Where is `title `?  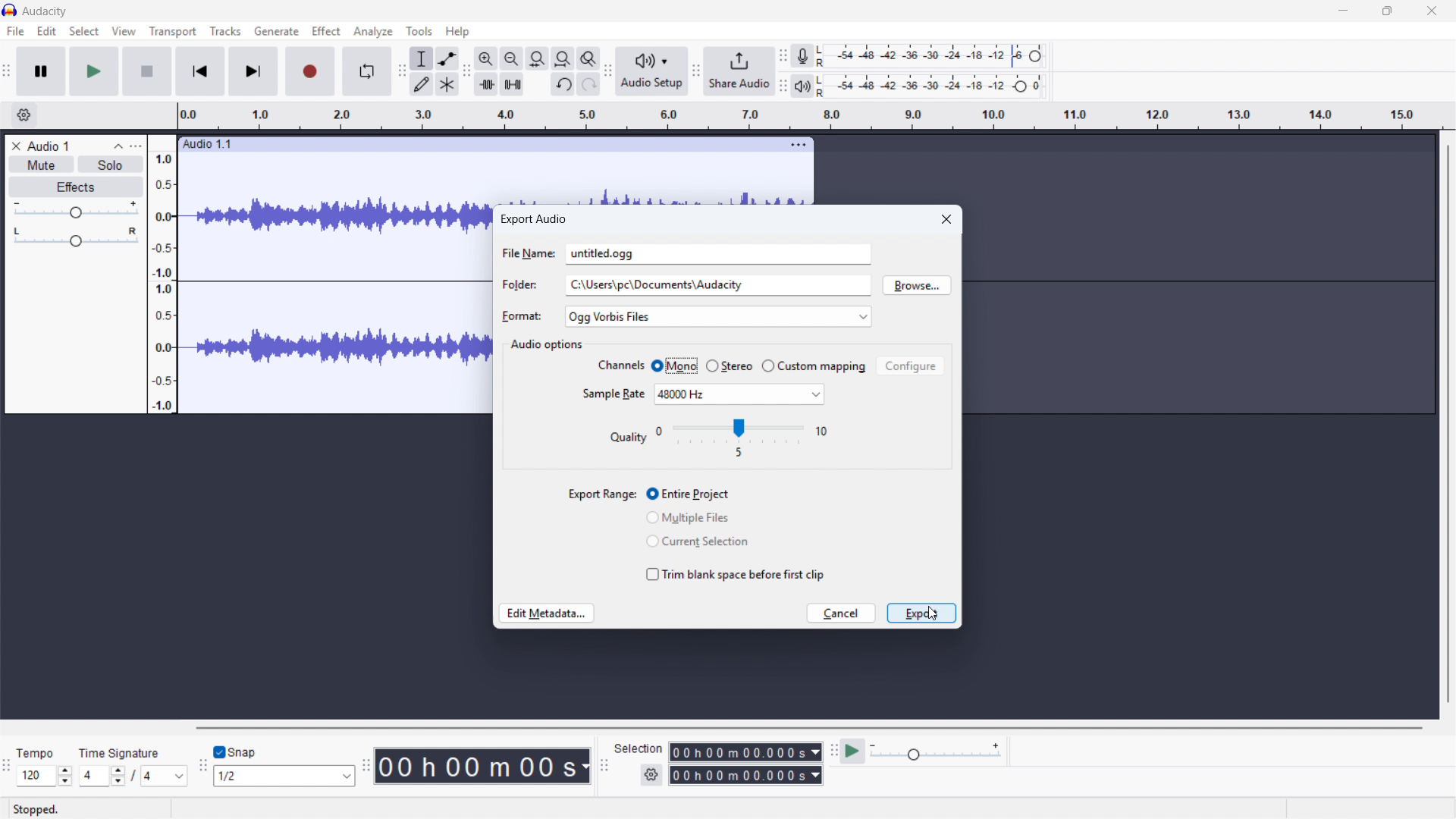
title  is located at coordinates (45, 12).